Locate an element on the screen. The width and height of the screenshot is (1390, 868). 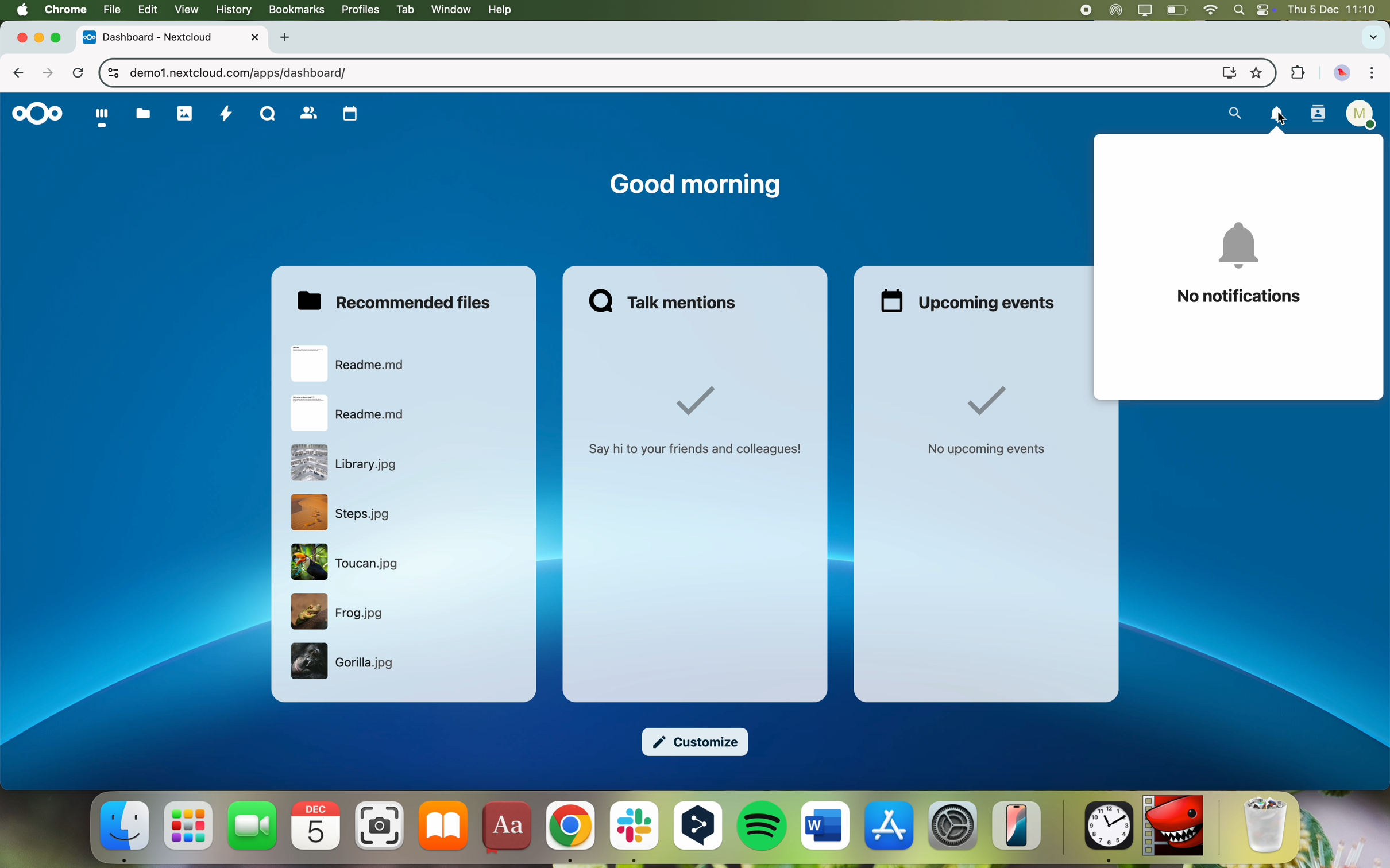
extensions is located at coordinates (1296, 74).